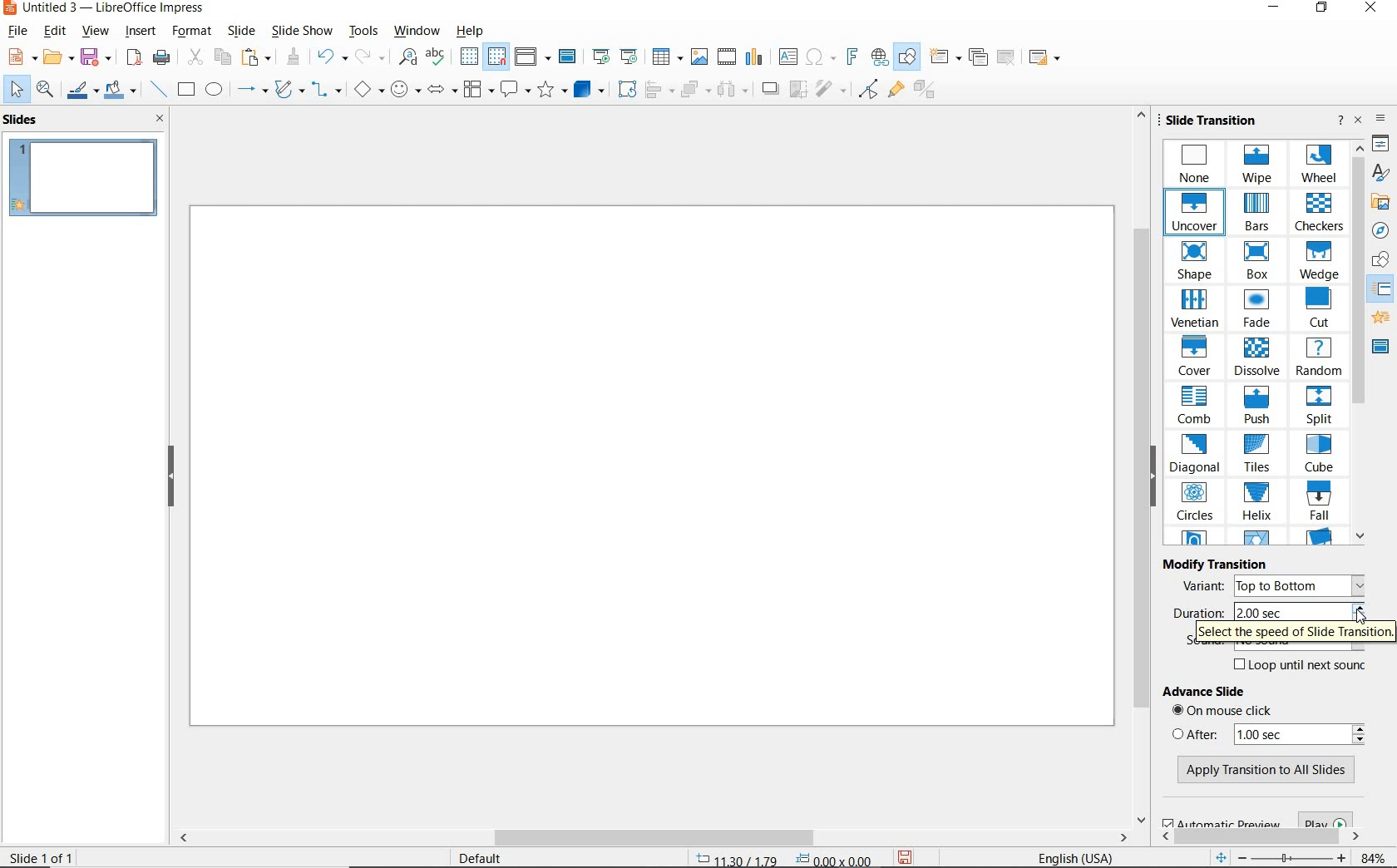  What do you see at coordinates (1372, 10) in the screenshot?
I see `CLOSE` at bounding box center [1372, 10].